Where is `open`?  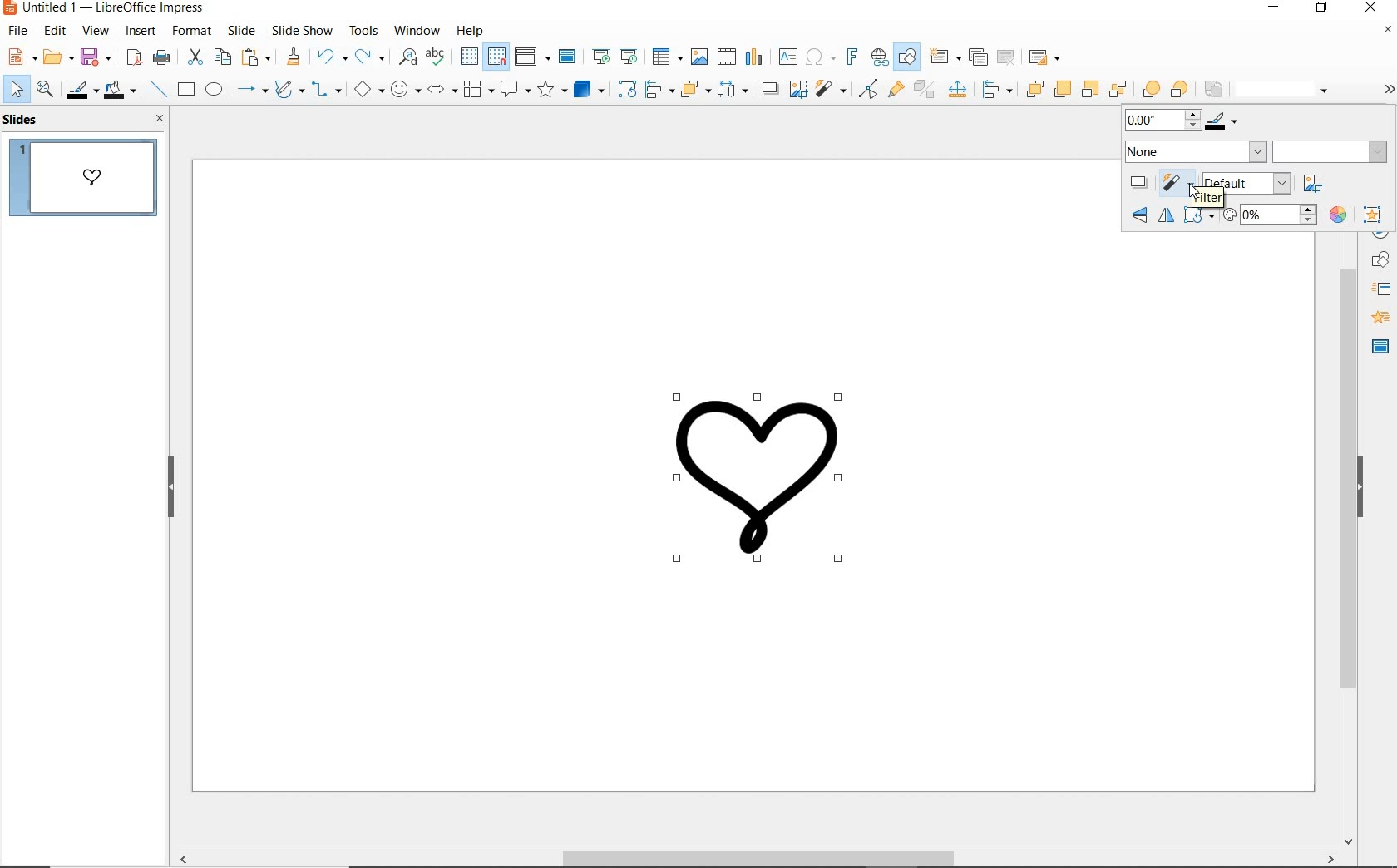 open is located at coordinates (57, 55).